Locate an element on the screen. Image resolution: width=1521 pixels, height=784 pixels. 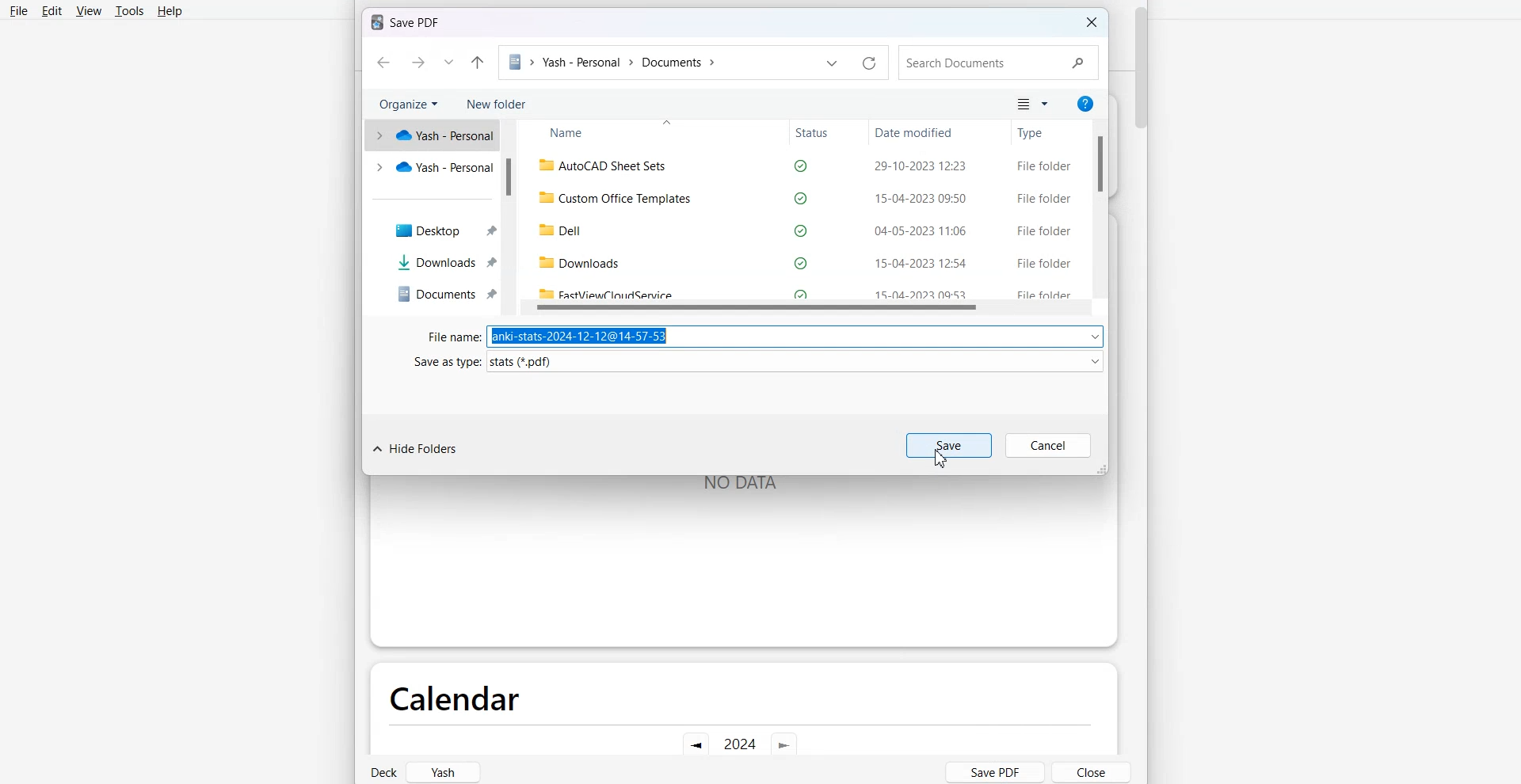
downloads is located at coordinates (805, 265).